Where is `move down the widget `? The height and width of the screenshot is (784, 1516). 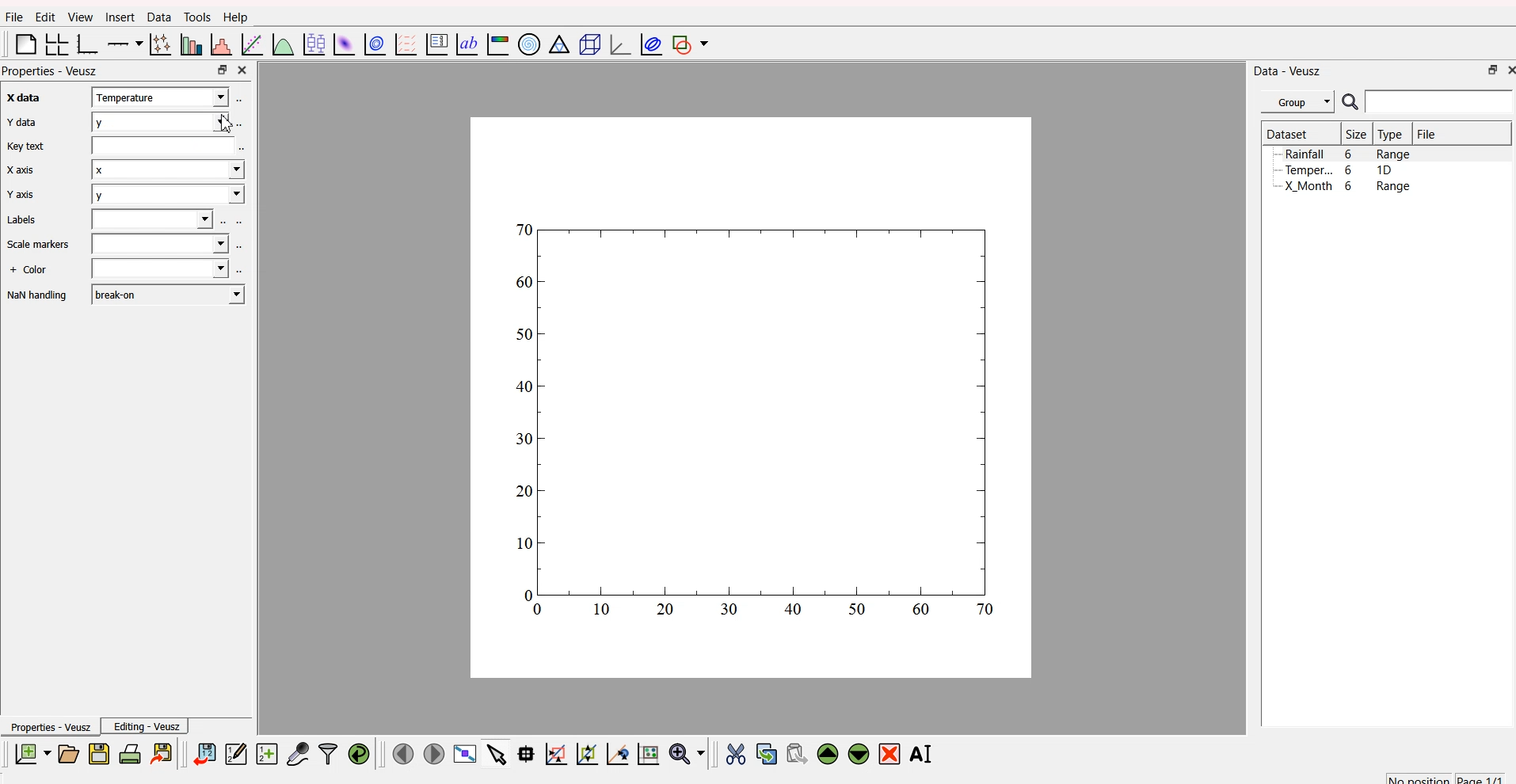 move down the widget  is located at coordinates (856, 755).